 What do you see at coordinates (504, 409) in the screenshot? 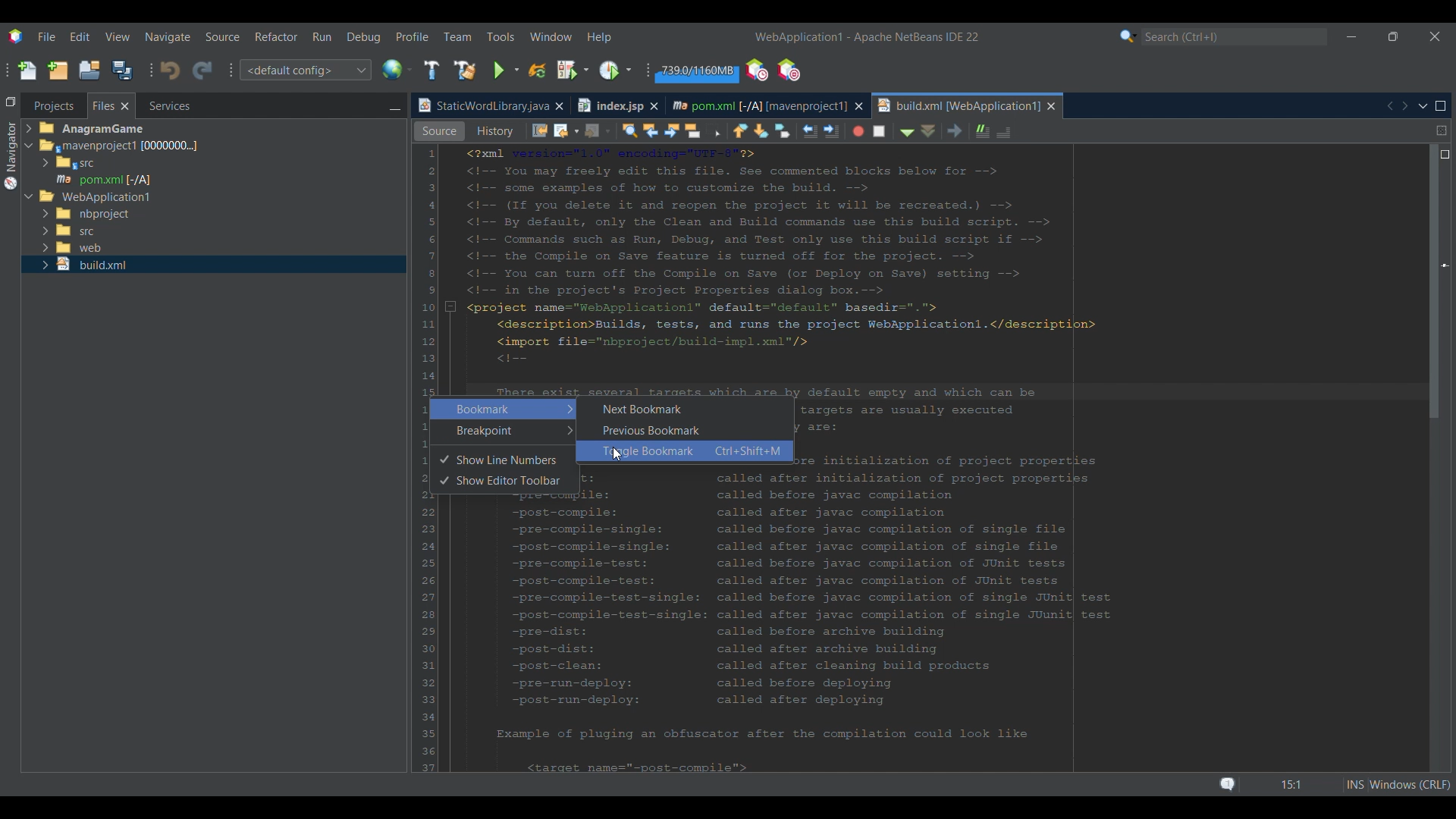
I see `Highlighted by cursor` at bounding box center [504, 409].